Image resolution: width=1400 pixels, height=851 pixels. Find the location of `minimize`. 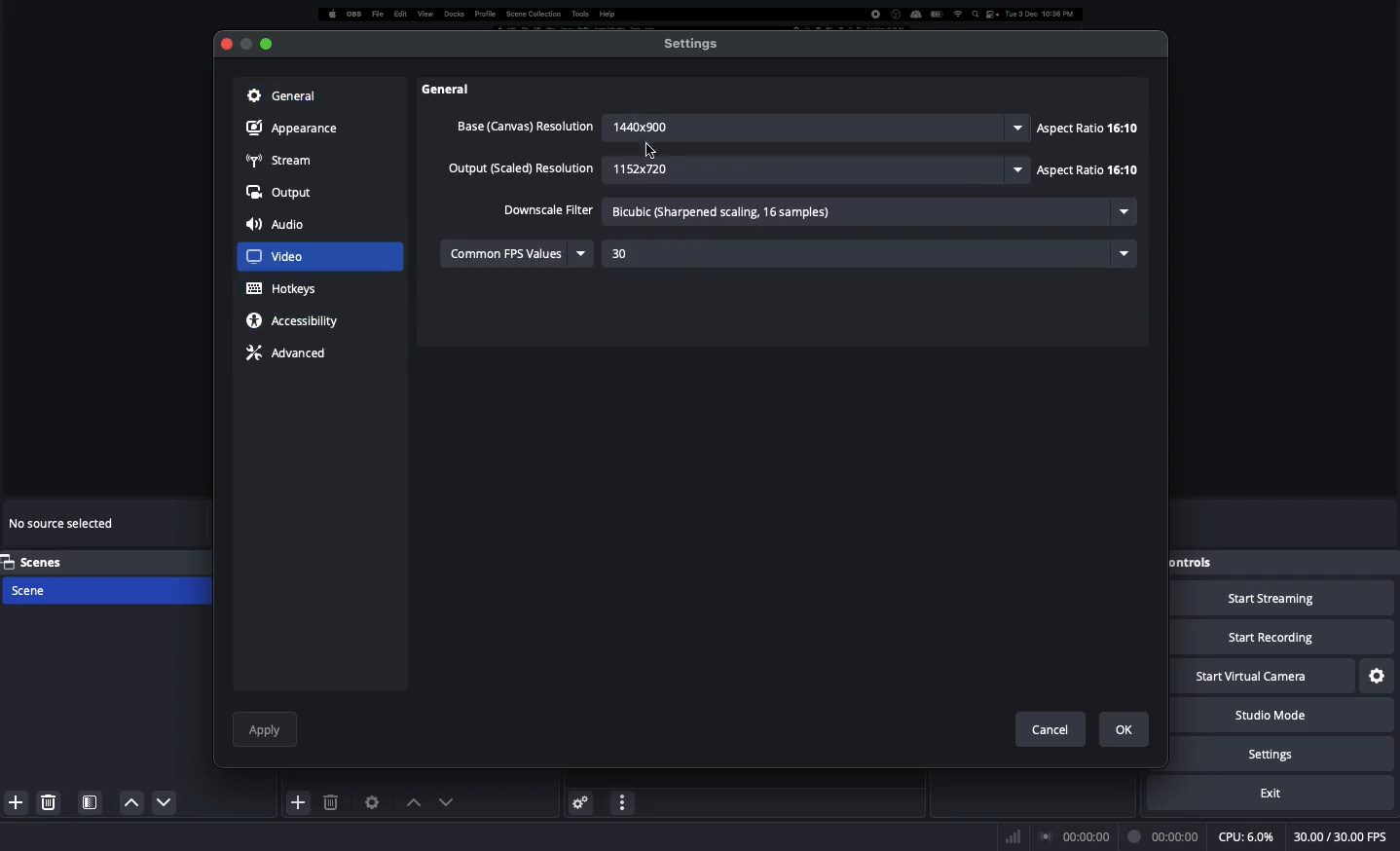

minimize is located at coordinates (267, 40).